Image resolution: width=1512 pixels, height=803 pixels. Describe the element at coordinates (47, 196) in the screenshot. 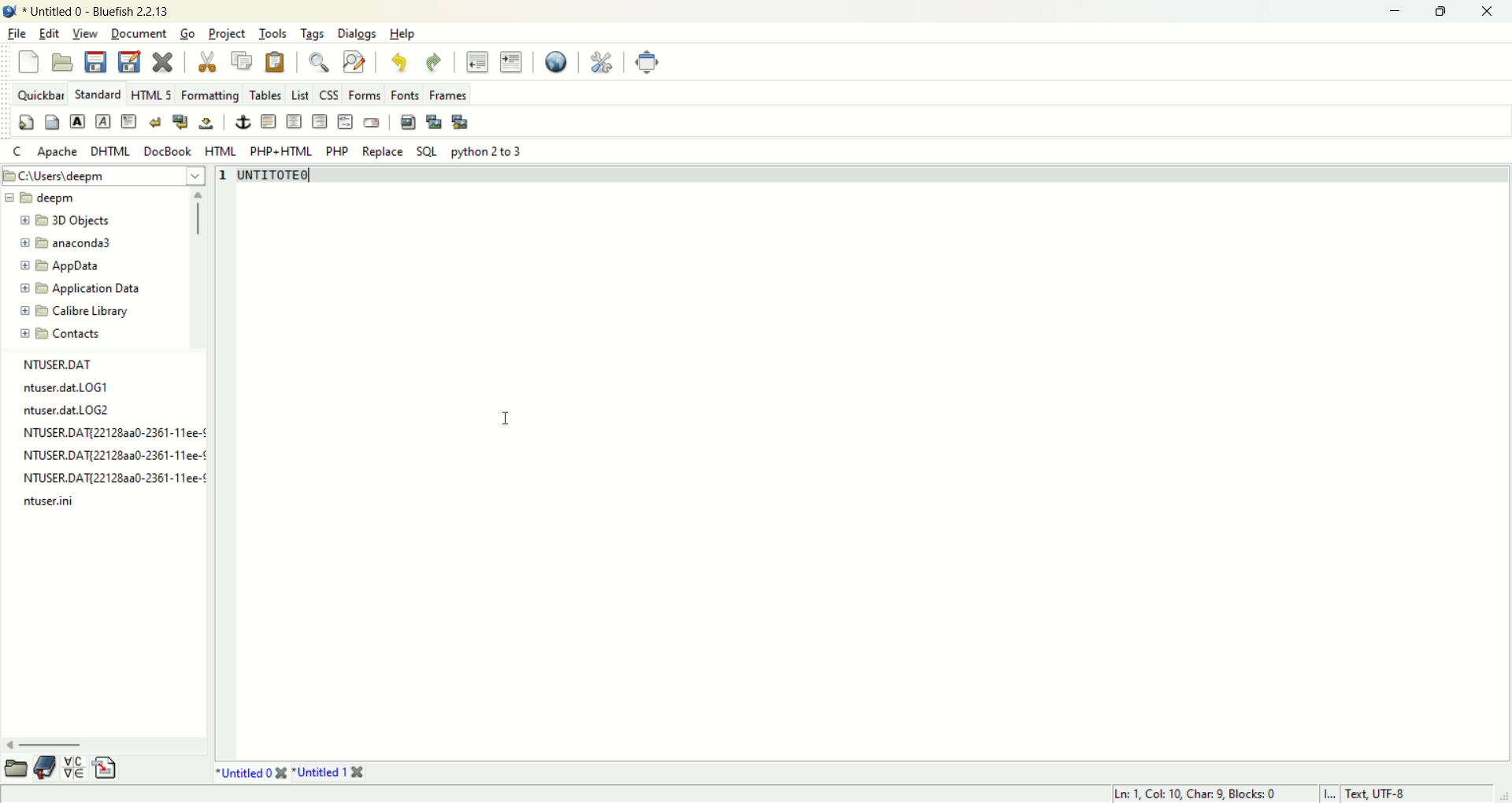

I see `deepm` at that location.